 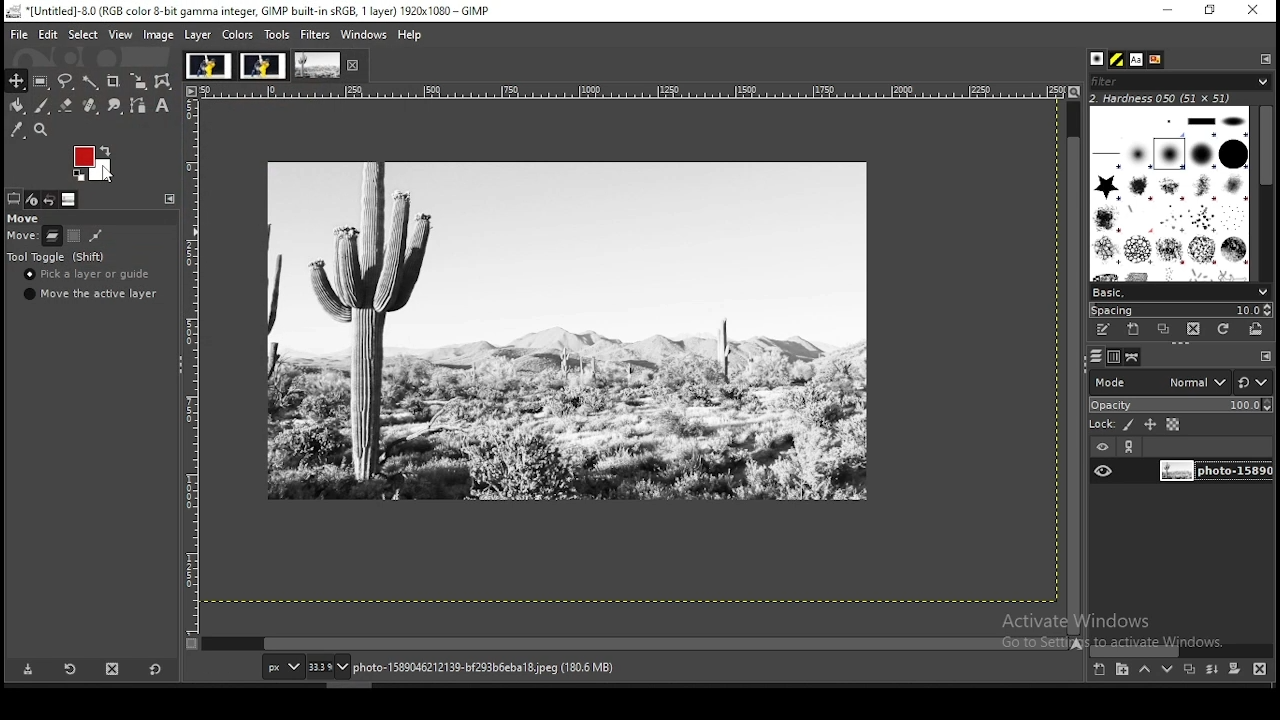 What do you see at coordinates (1181, 650) in the screenshot?
I see `scroll bar` at bounding box center [1181, 650].